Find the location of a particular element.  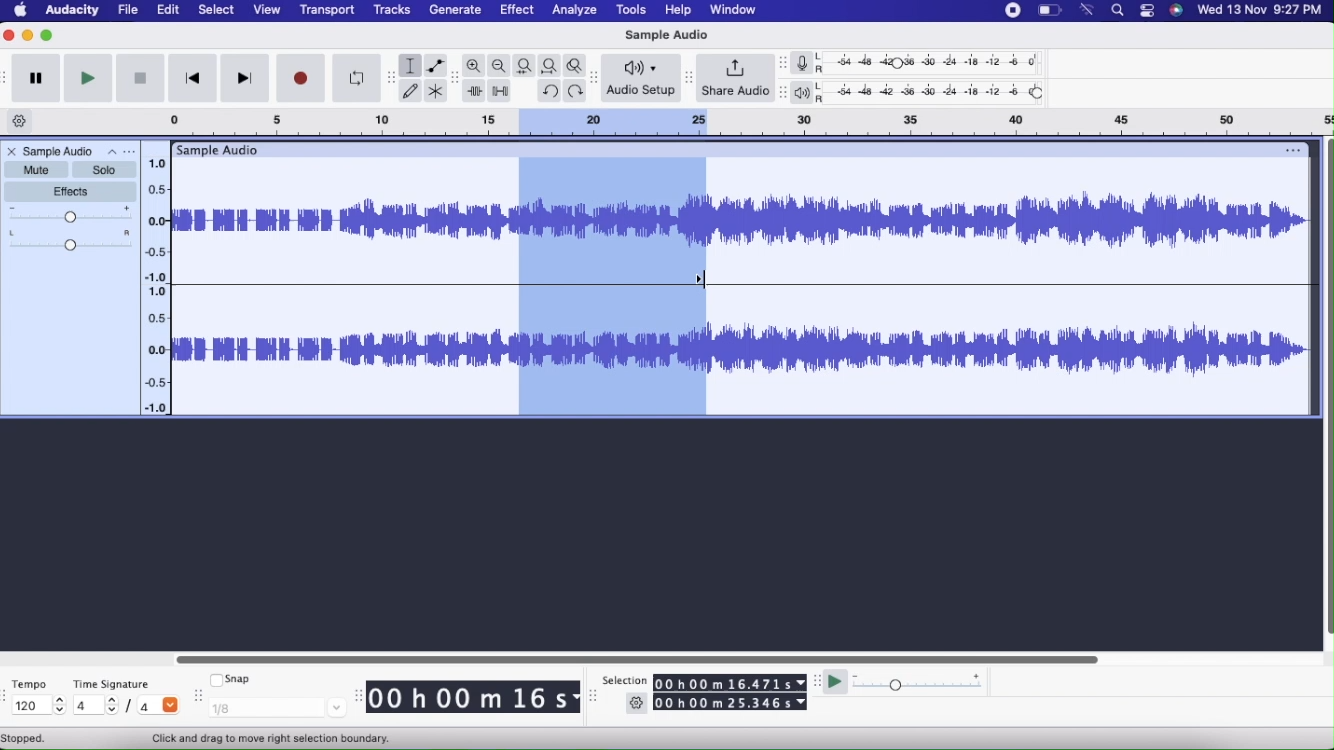

Play is located at coordinates (87, 78).